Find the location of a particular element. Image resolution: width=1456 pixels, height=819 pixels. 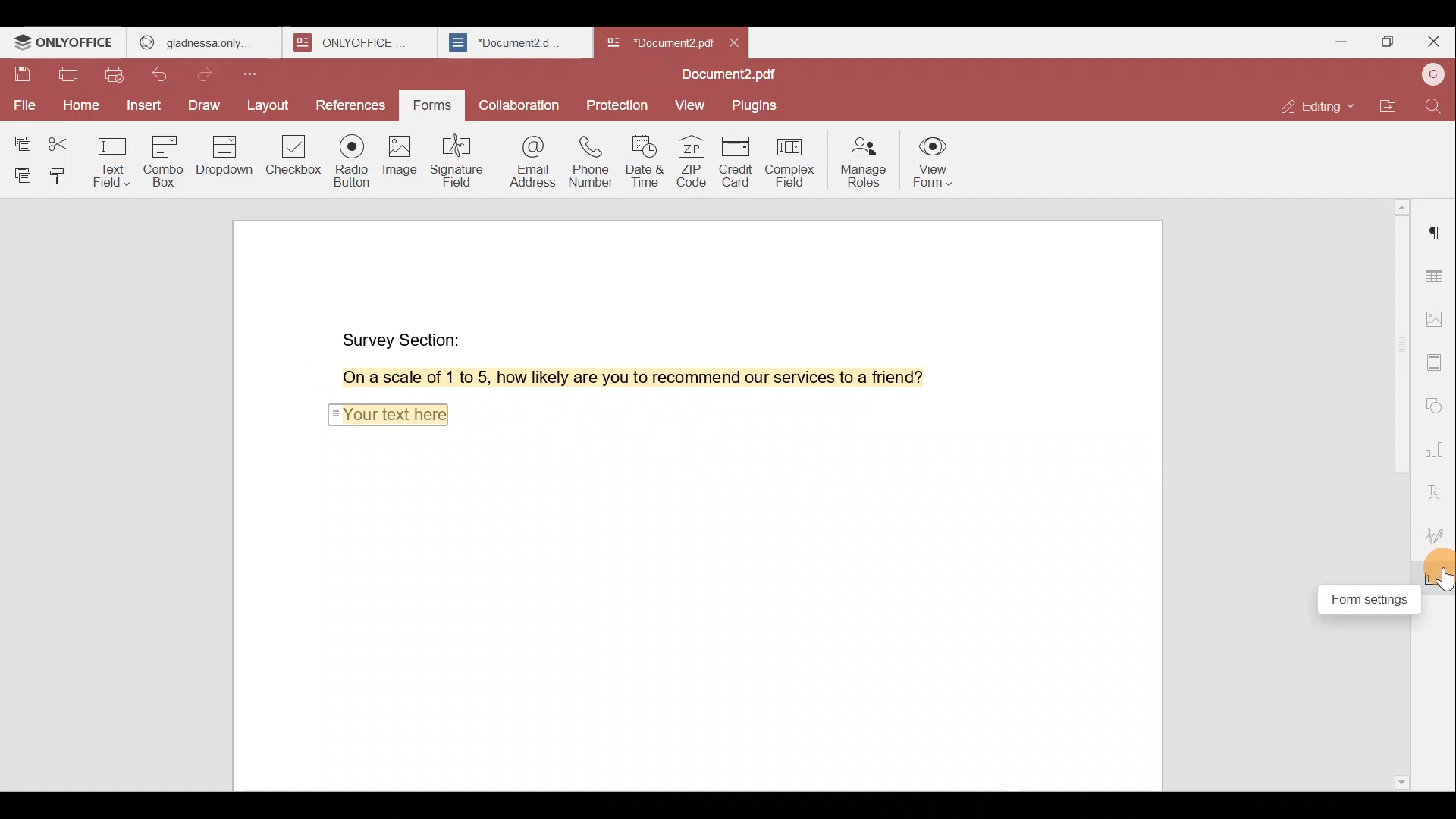

Insert is located at coordinates (144, 107).